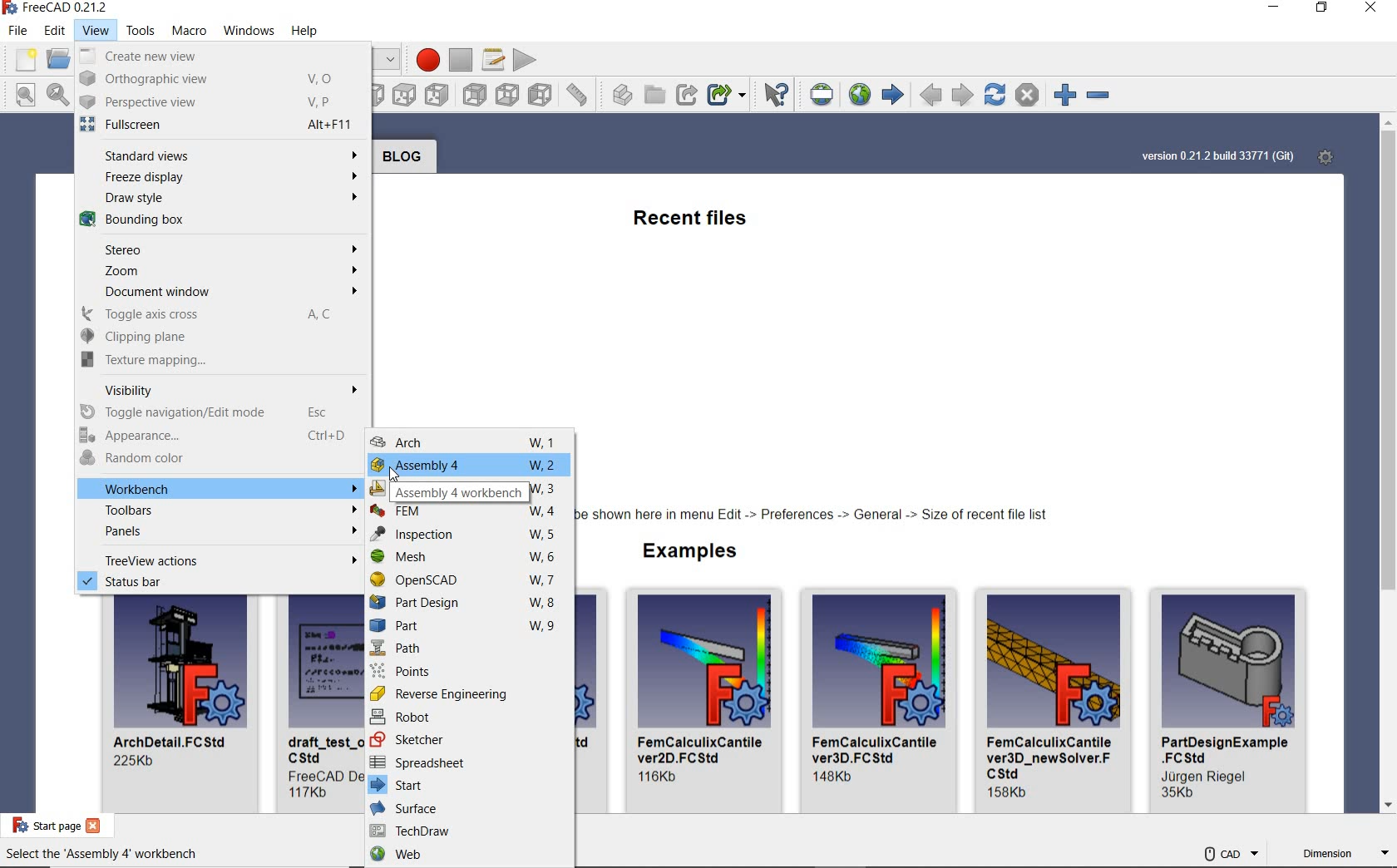 The width and height of the screenshot is (1397, 868). What do you see at coordinates (465, 857) in the screenshot?
I see `web` at bounding box center [465, 857].